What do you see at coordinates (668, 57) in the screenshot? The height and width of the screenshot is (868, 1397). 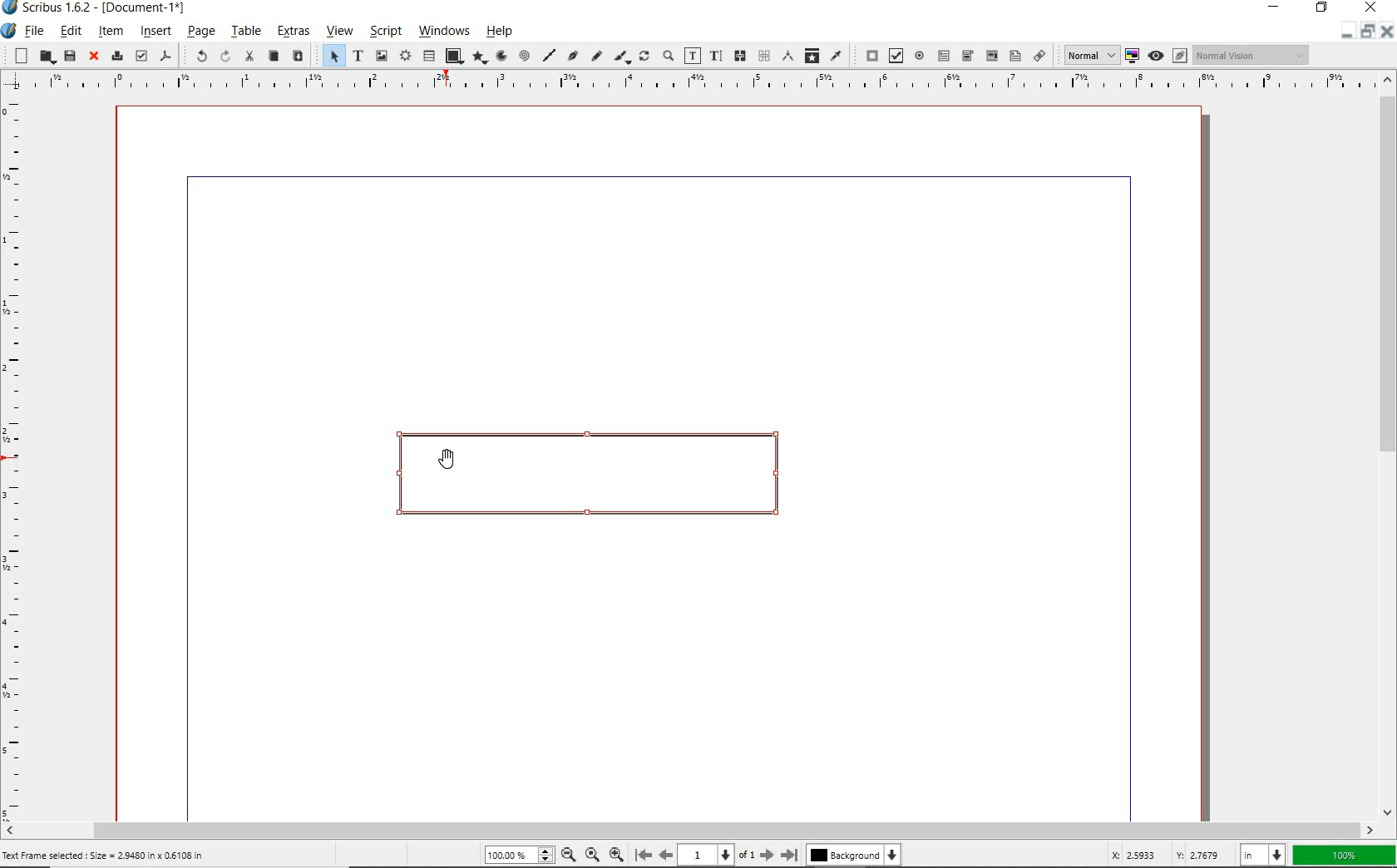 I see `zoom in or zoom out` at bounding box center [668, 57].